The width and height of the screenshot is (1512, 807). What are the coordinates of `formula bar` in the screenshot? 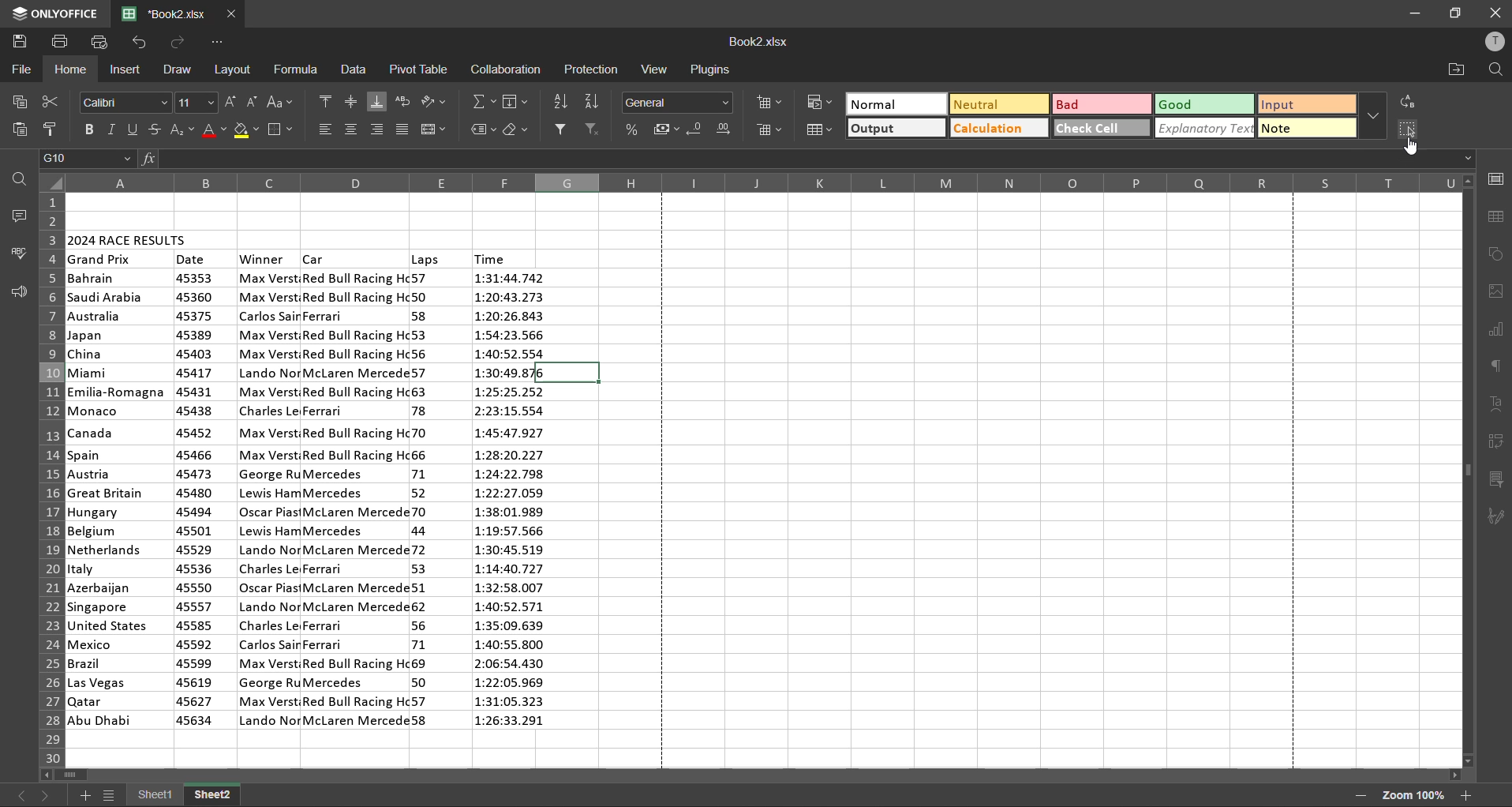 It's located at (816, 160).